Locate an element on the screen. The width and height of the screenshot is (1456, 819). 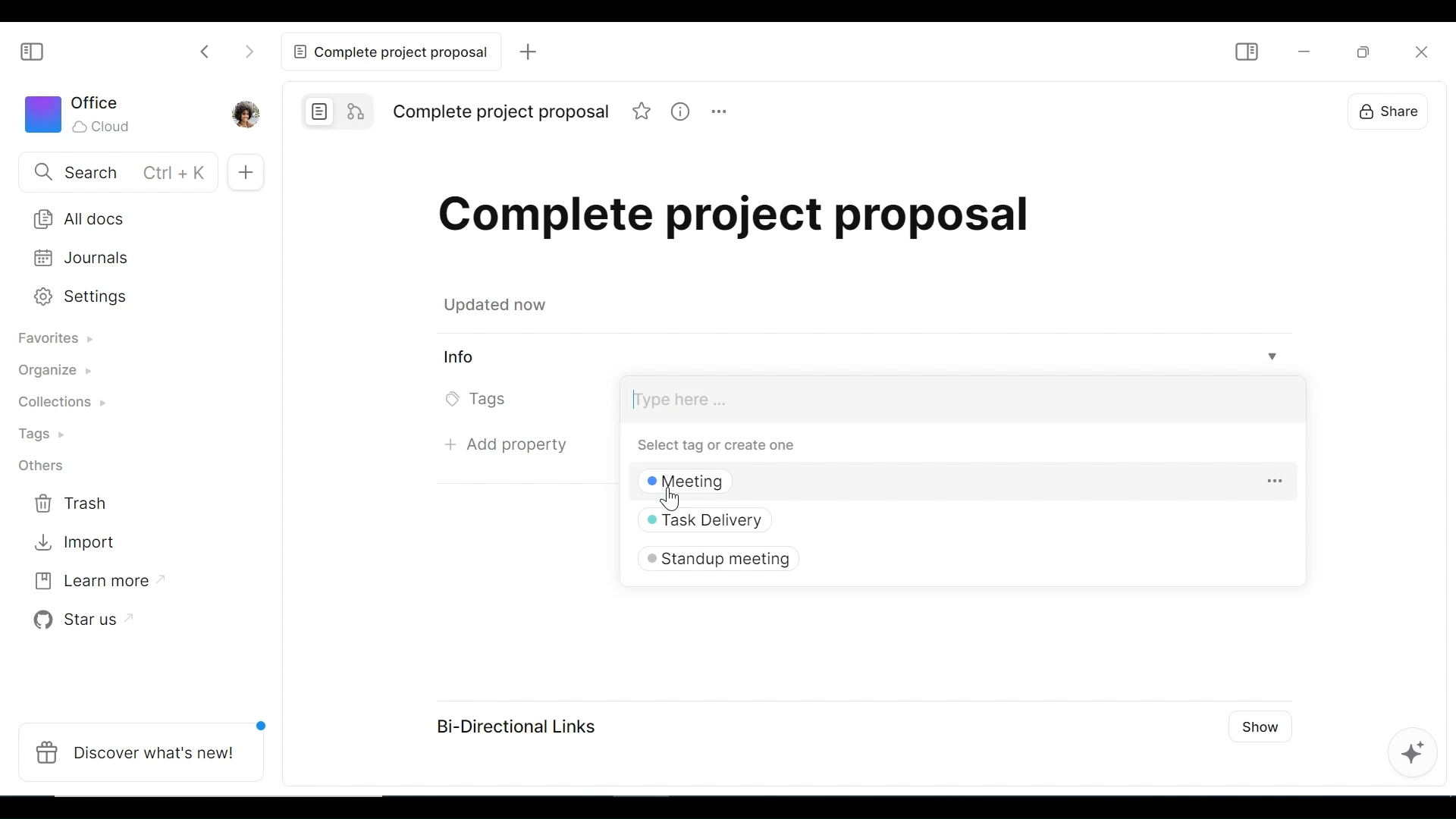
Tags is located at coordinates (49, 436).